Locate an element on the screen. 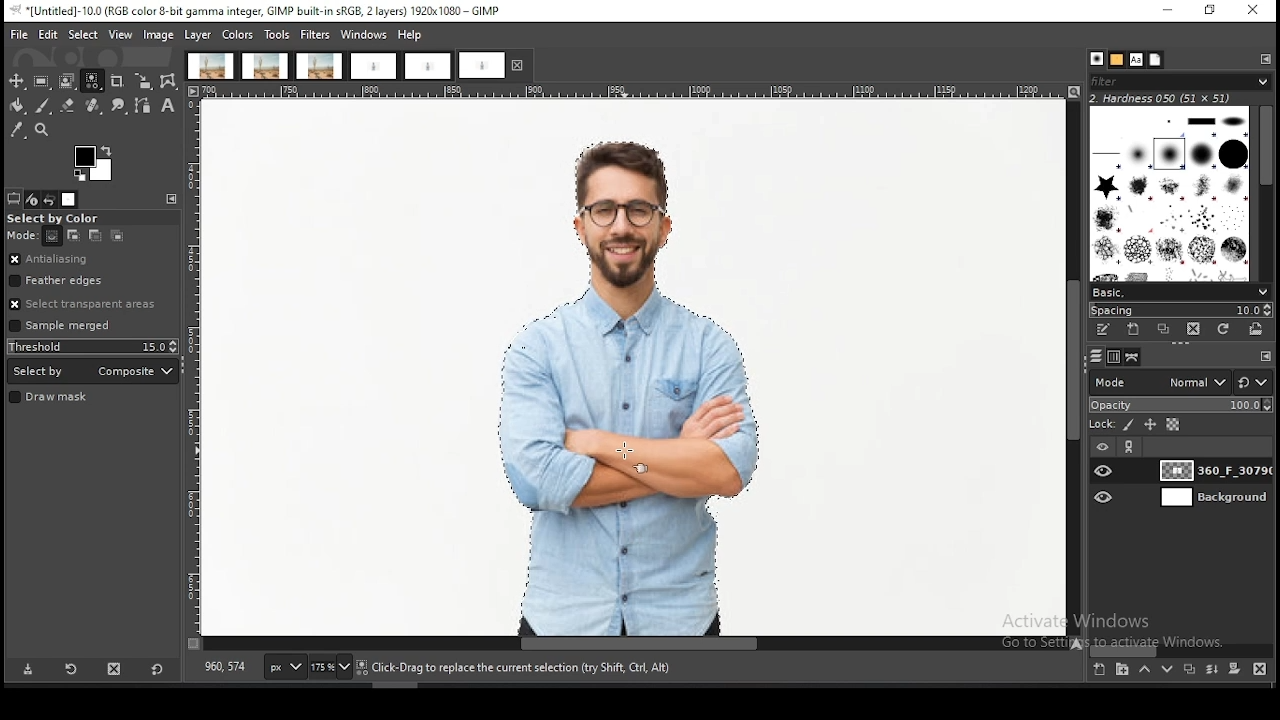  device status is located at coordinates (32, 200).